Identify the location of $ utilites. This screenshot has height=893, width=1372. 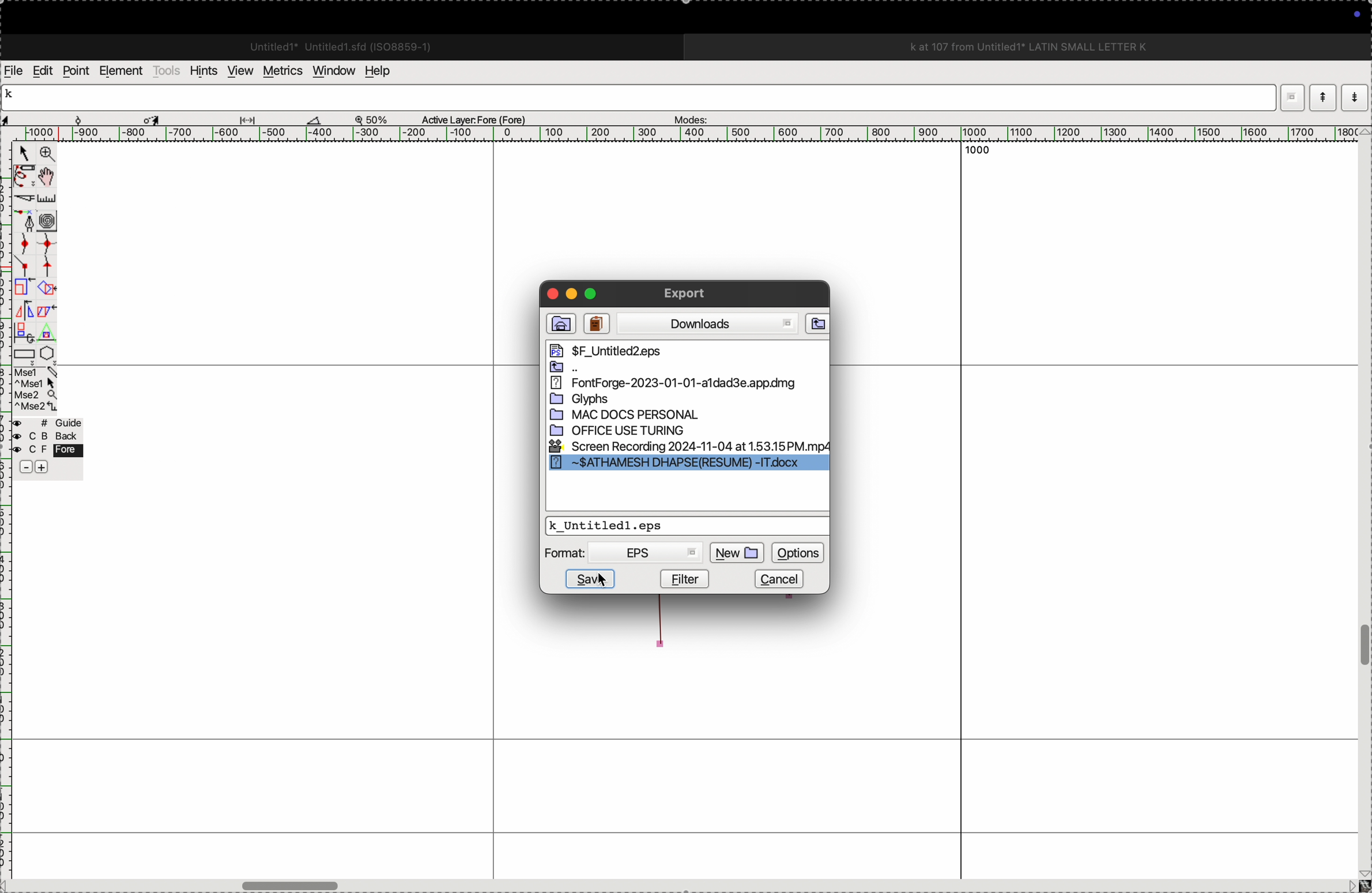
(643, 351).